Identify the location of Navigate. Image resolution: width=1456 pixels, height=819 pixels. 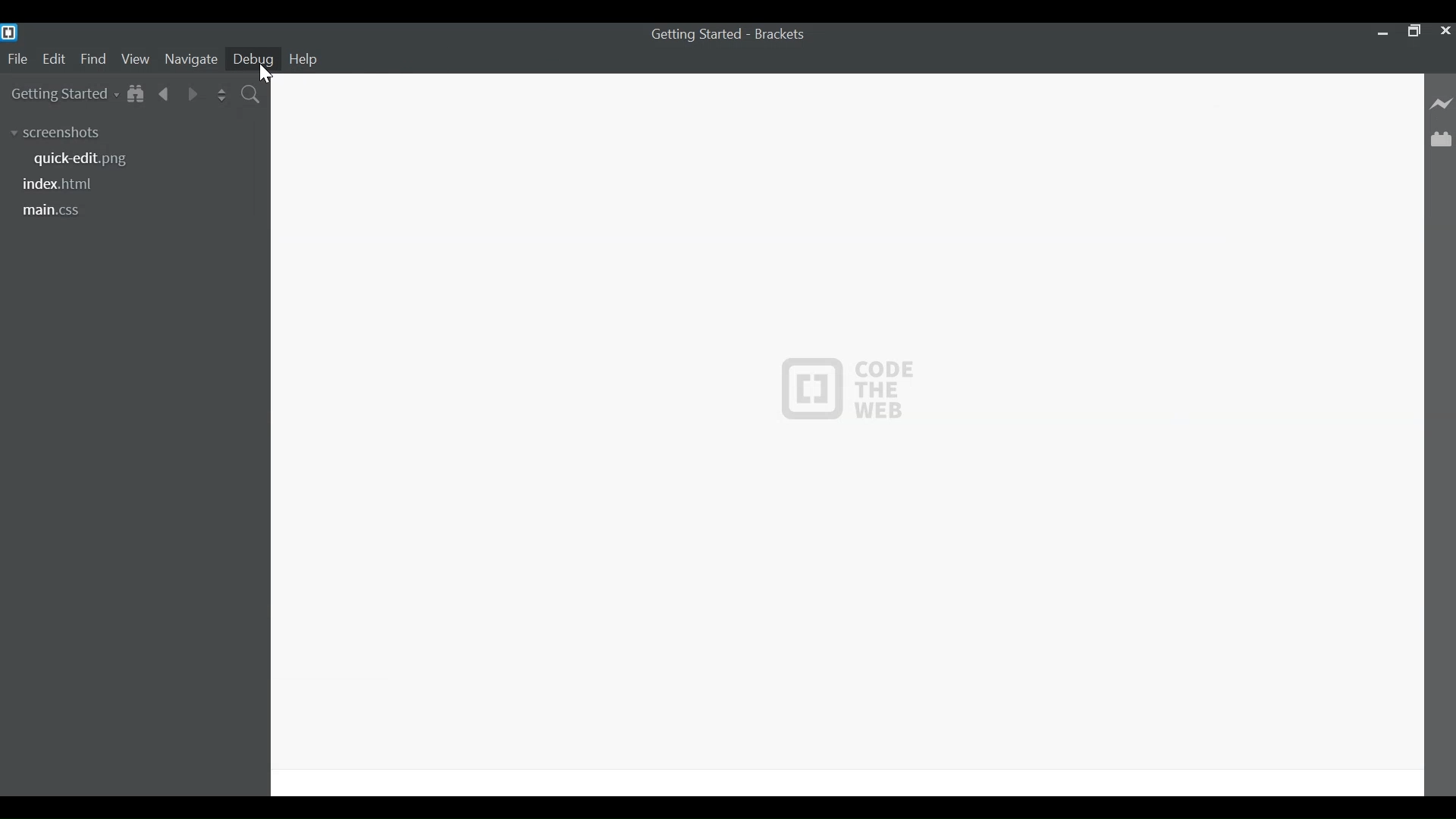
(193, 58).